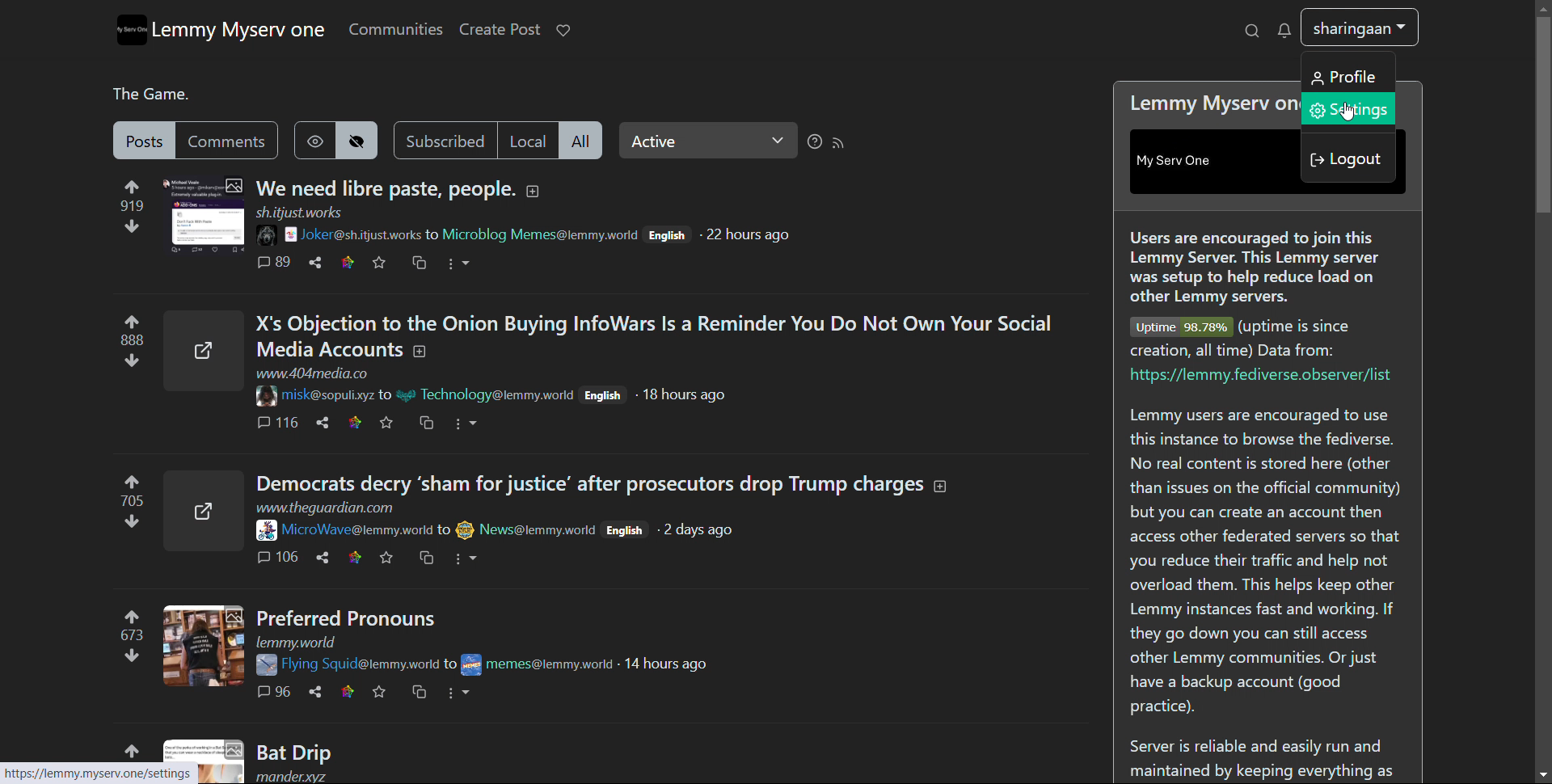 This screenshot has width=1552, height=784. What do you see at coordinates (132, 522) in the screenshot?
I see ` downvotes` at bounding box center [132, 522].